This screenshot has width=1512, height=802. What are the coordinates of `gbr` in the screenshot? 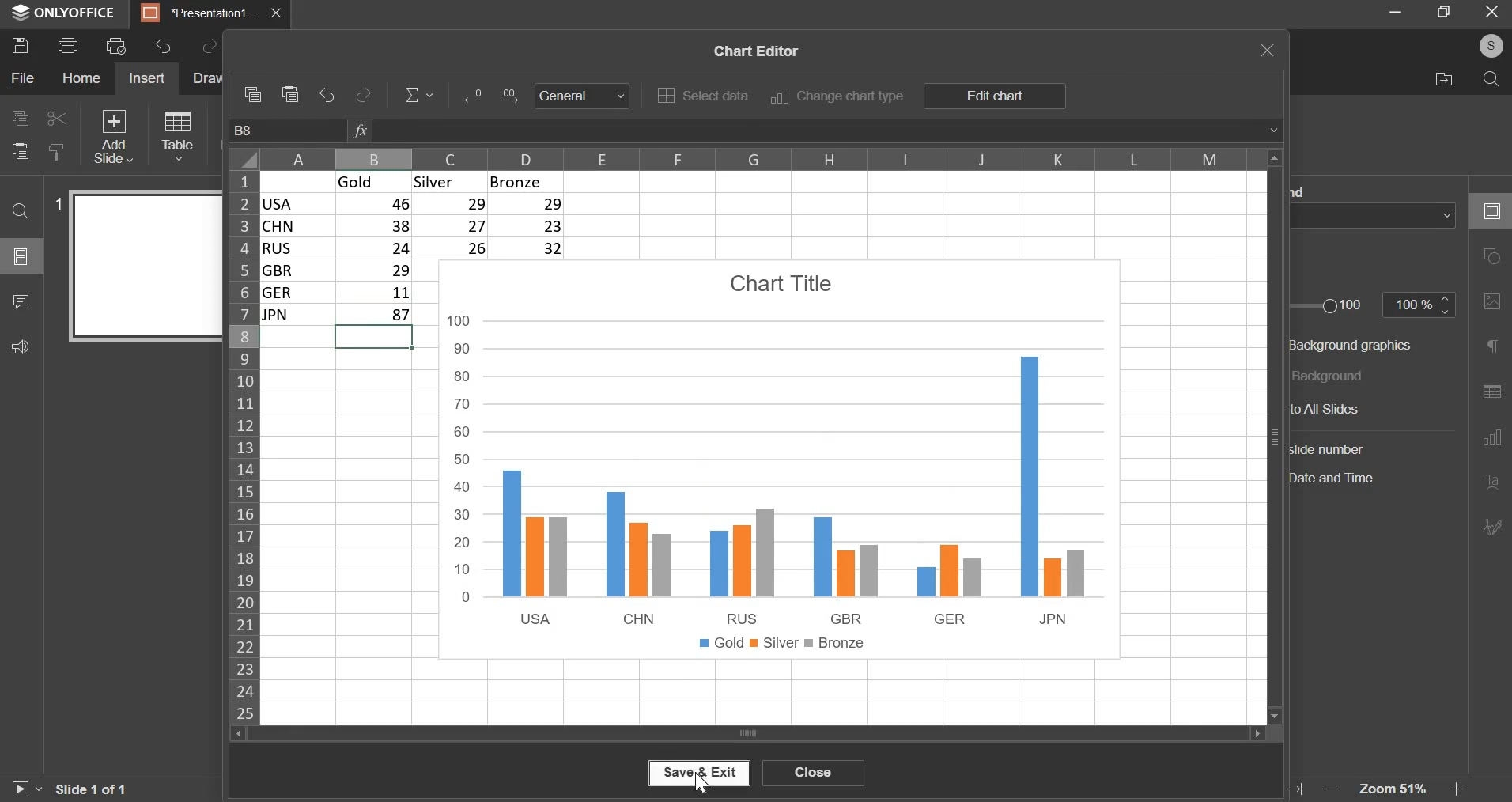 It's located at (297, 271).